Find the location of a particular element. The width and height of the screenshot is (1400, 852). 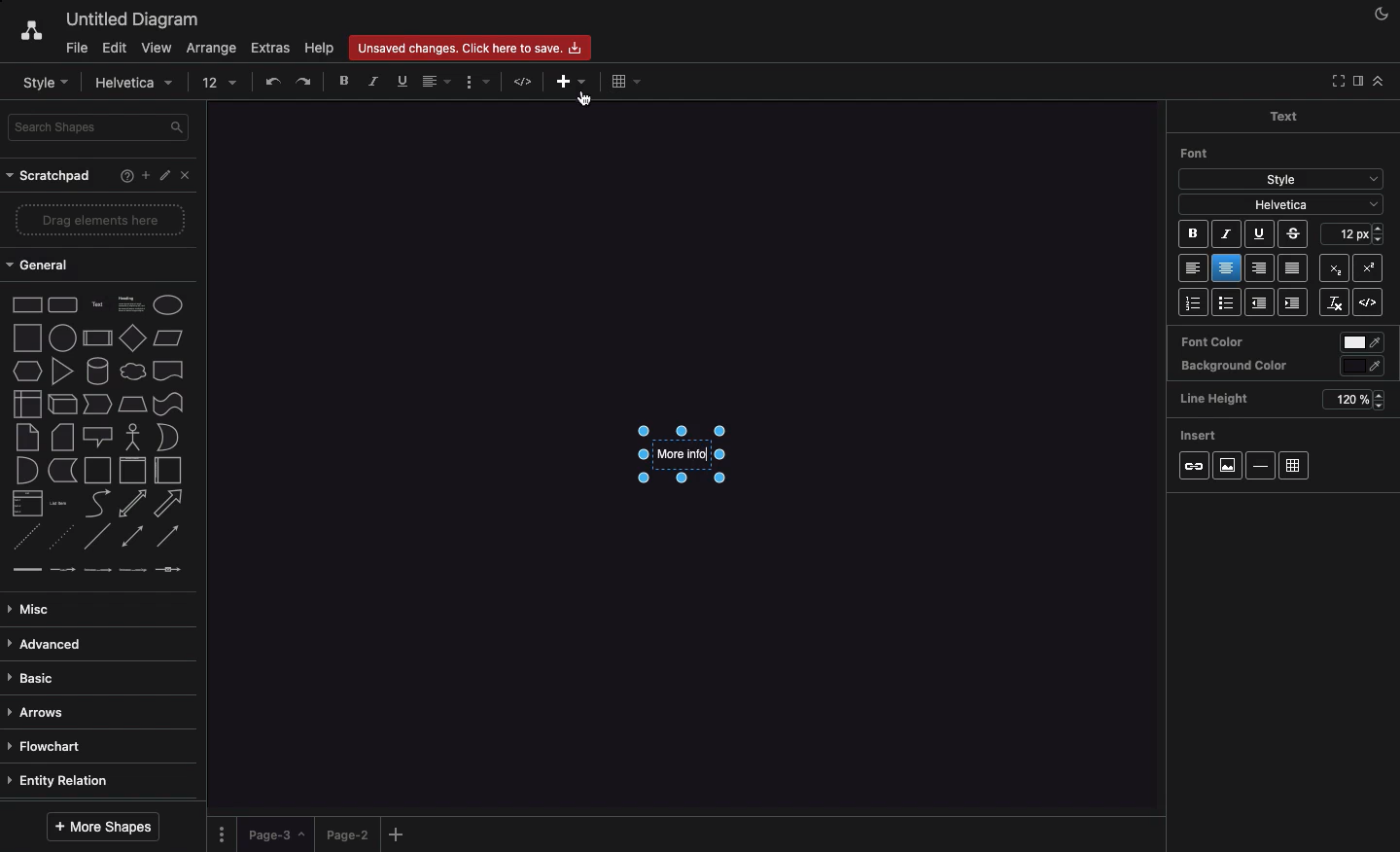

Help is located at coordinates (318, 48).